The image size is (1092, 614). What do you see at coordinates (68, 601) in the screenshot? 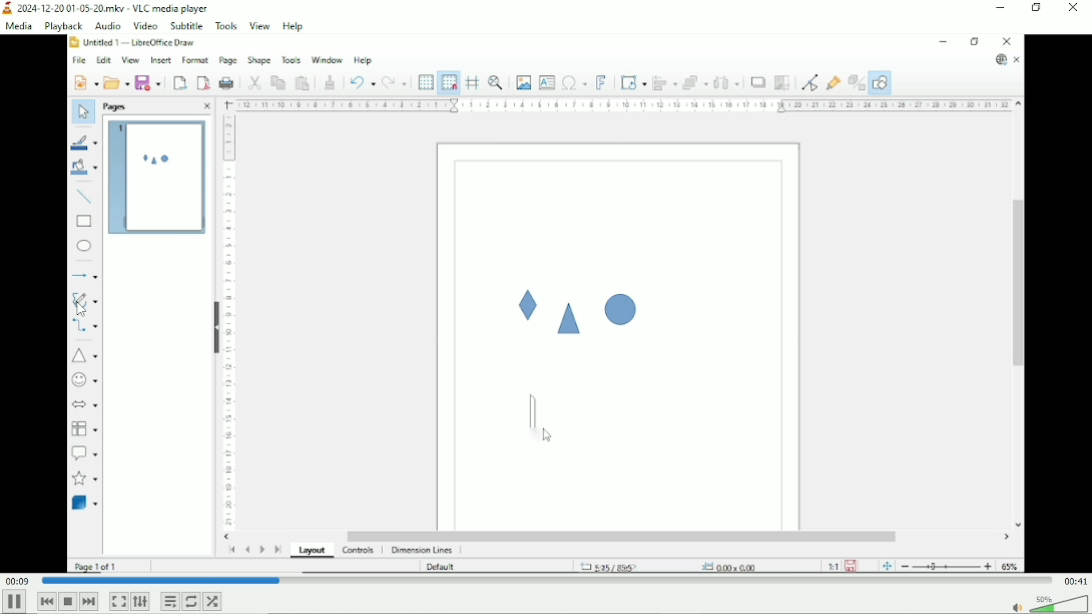
I see `Stop playlist` at bounding box center [68, 601].